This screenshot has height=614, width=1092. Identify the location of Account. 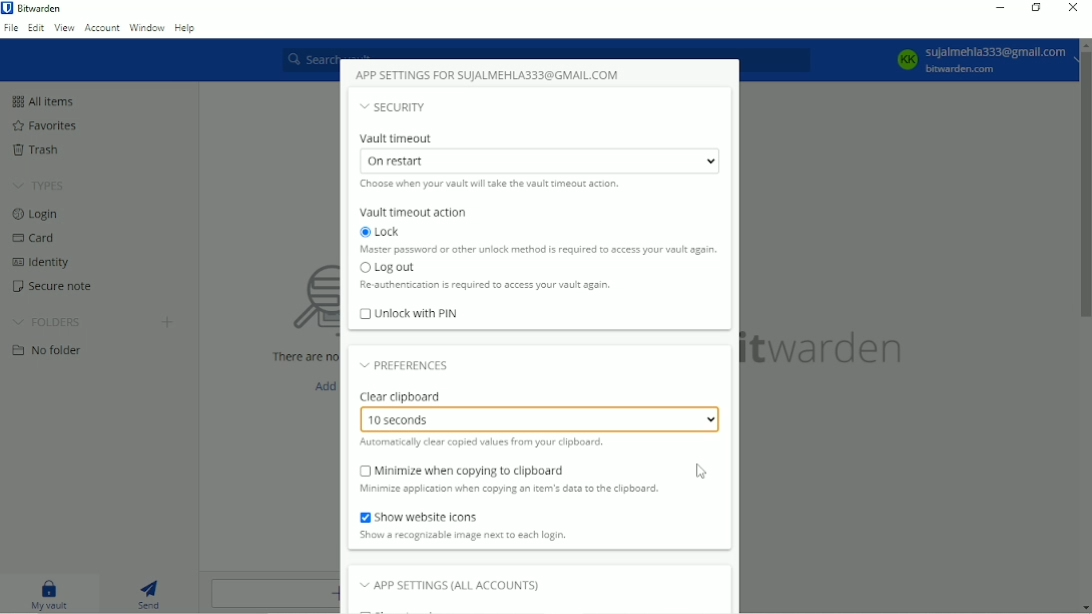
(103, 29).